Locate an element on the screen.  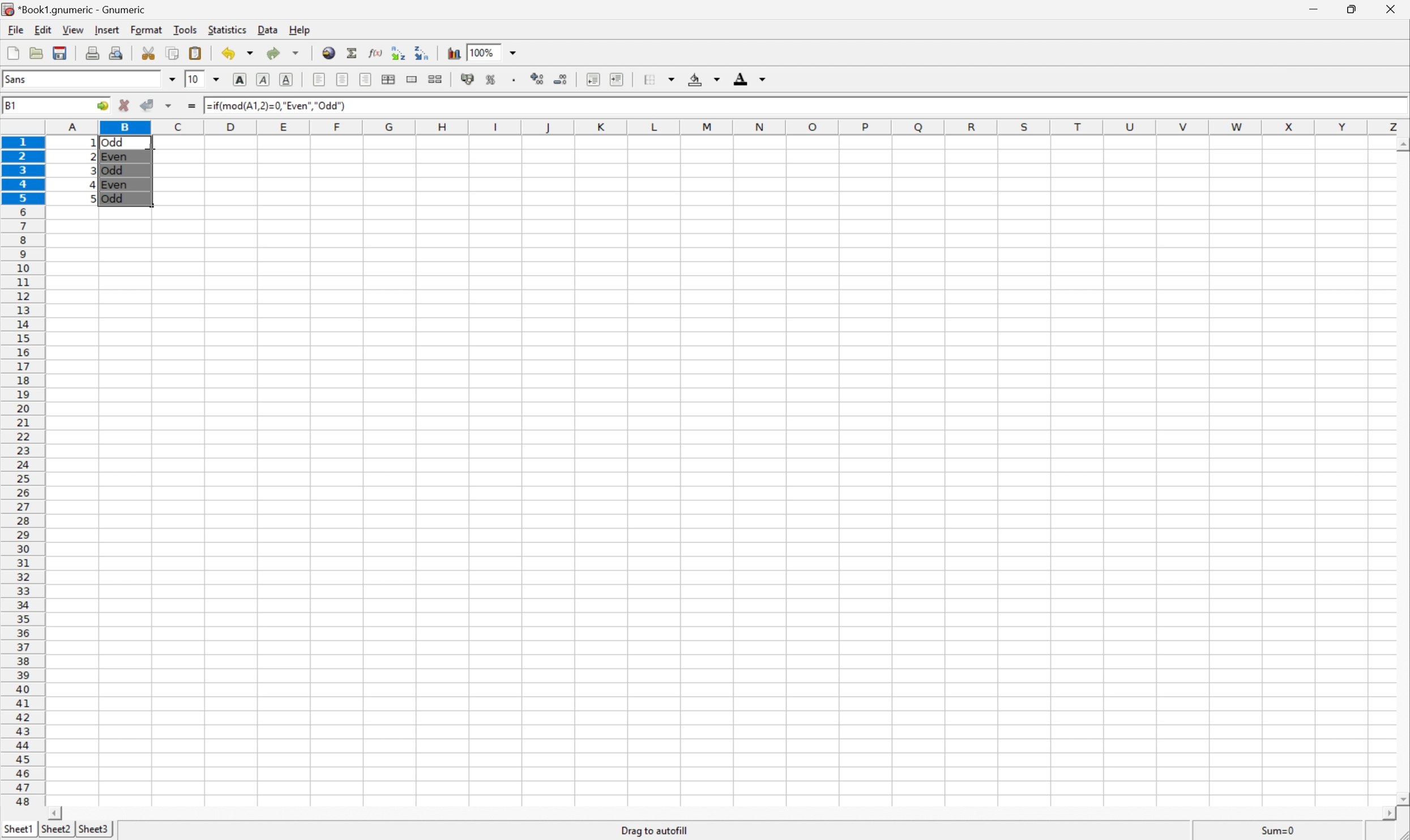
Edit function in current cell is located at coordinates (375, 54).